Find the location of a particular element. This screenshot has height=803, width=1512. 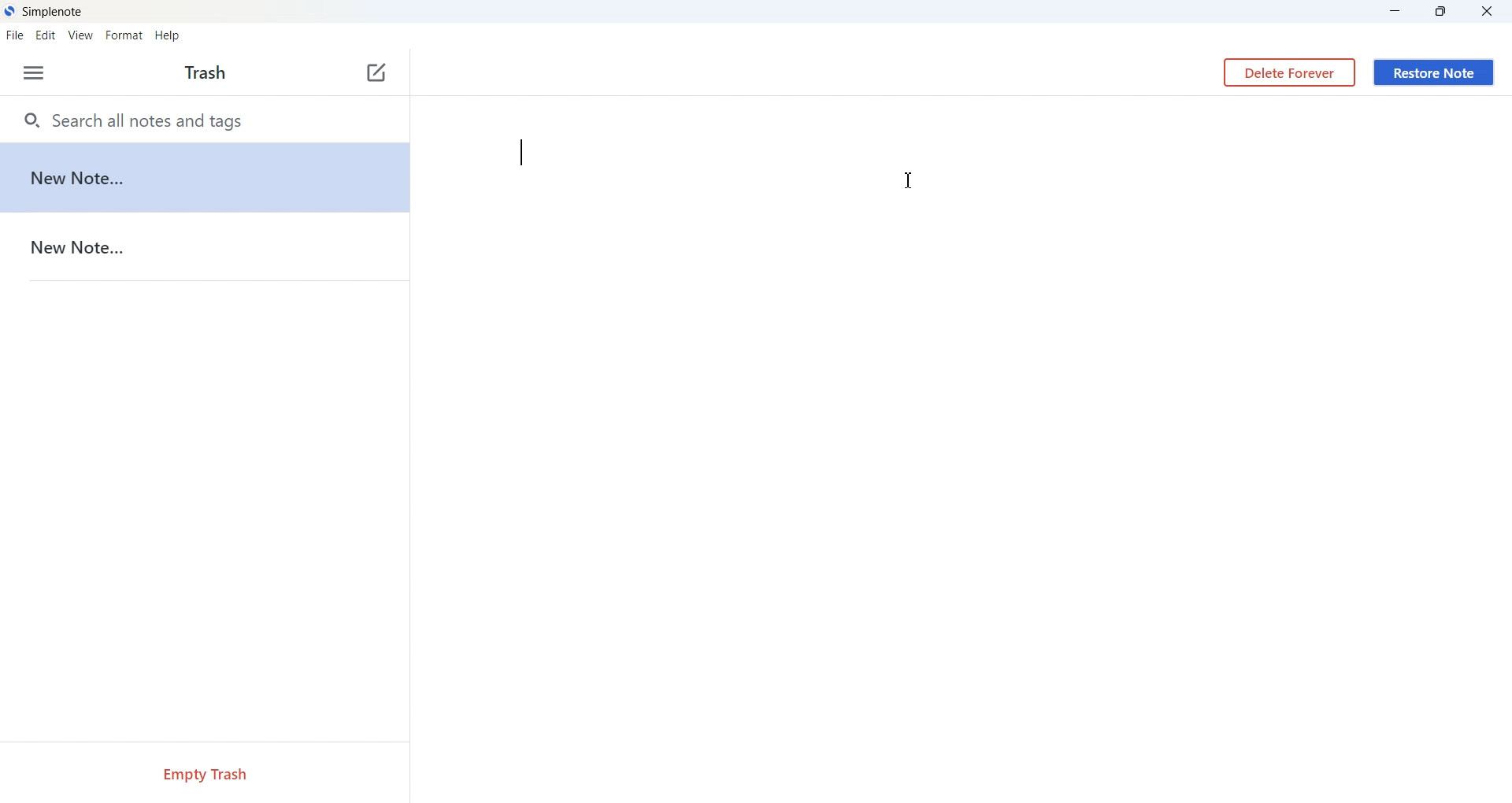

View is located at coordinates (80, 34).